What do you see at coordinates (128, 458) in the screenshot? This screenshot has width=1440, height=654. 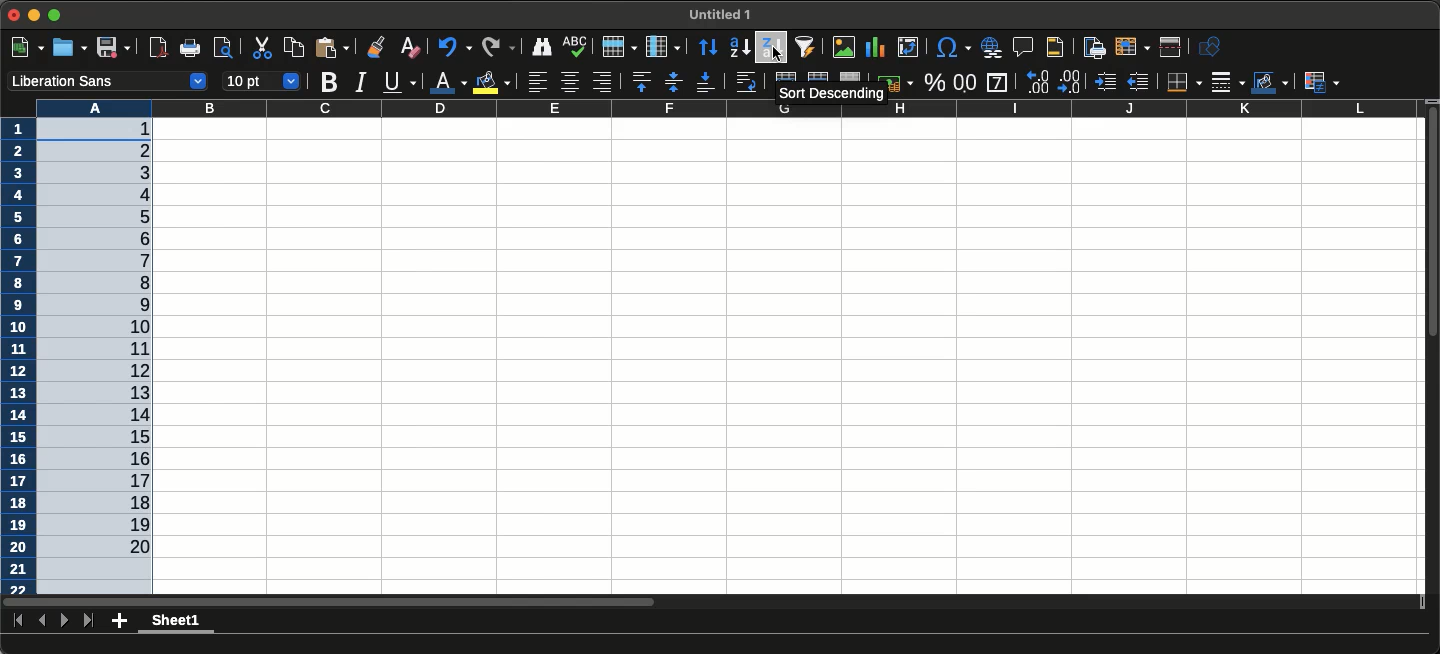 I see `16` at bounding box center [128, 458].